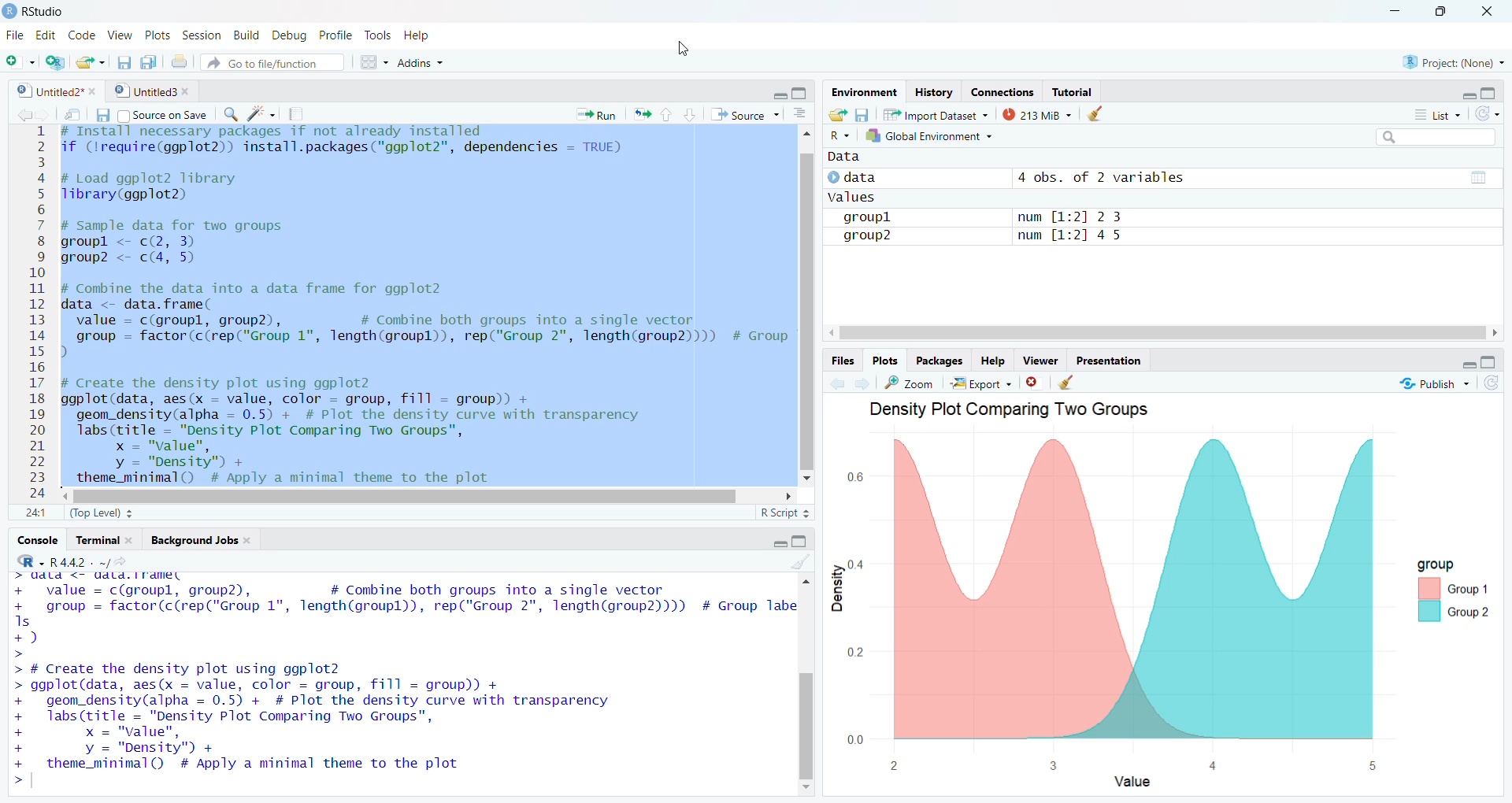 The image size is (1512, 803). I want to click on zoom, so click(910, 382).